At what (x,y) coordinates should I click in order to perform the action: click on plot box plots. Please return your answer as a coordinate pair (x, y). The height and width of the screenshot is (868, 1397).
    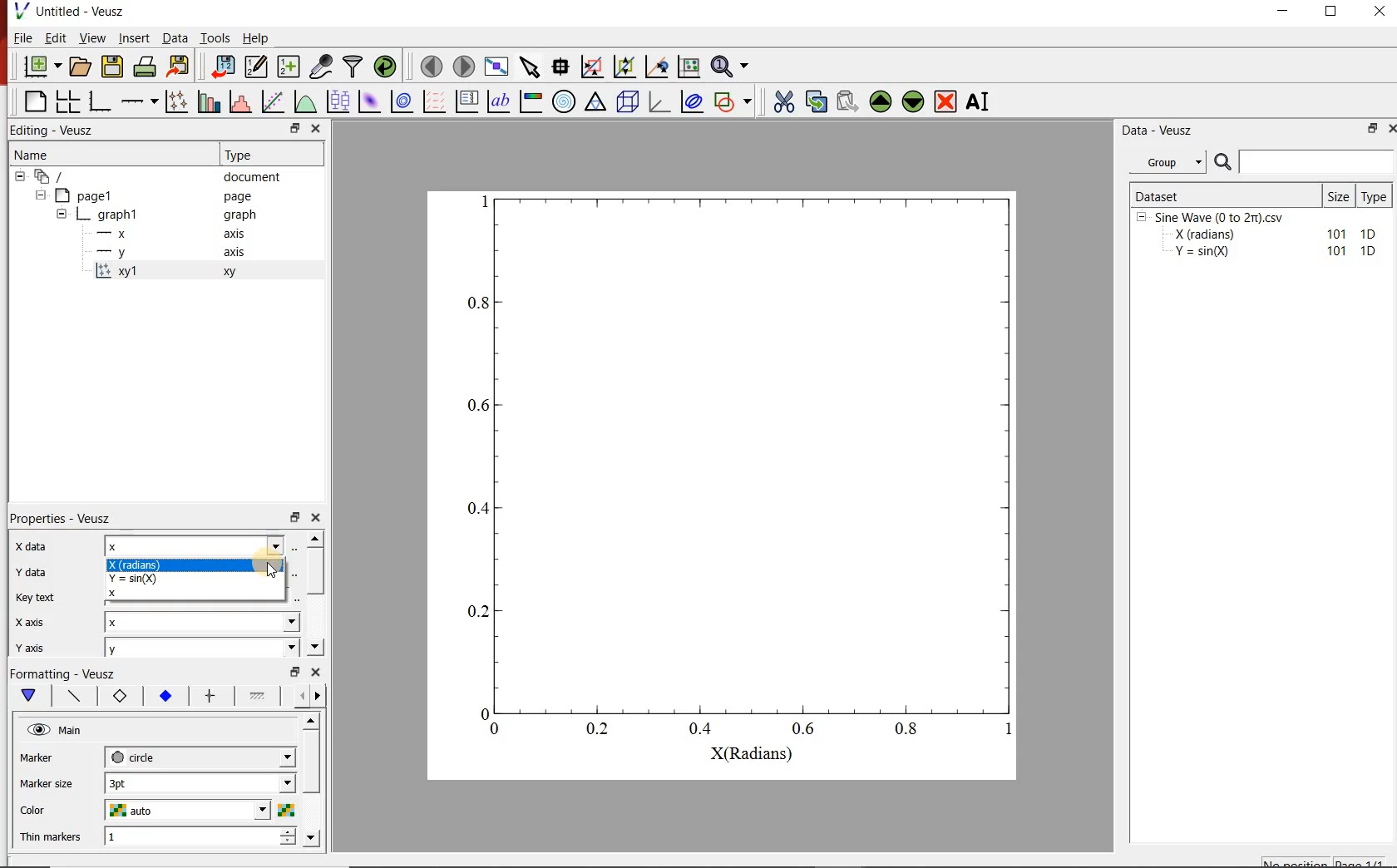
    Looking at the image, I should click on (339, 102).